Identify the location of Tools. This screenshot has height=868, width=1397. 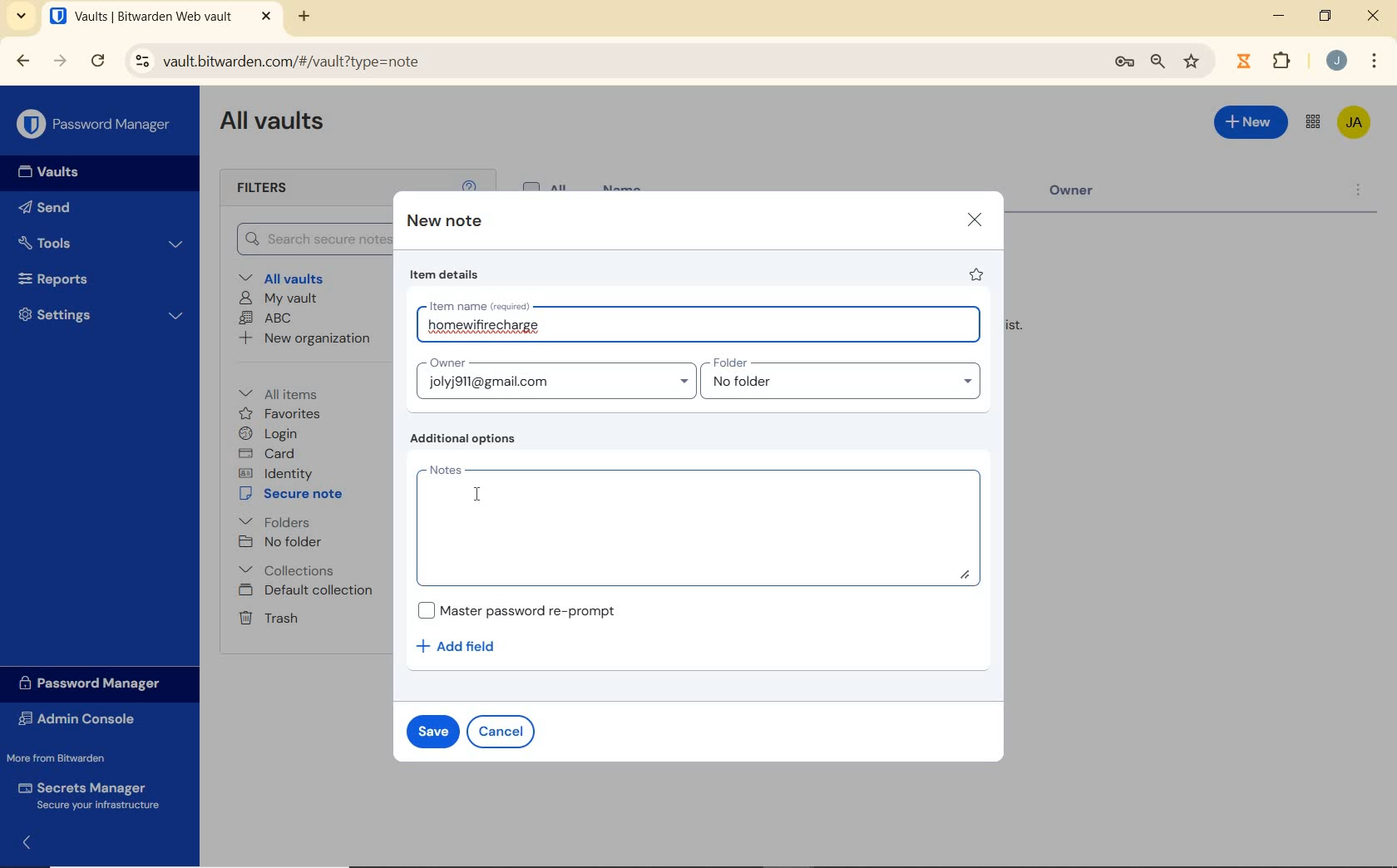
(102, 242).